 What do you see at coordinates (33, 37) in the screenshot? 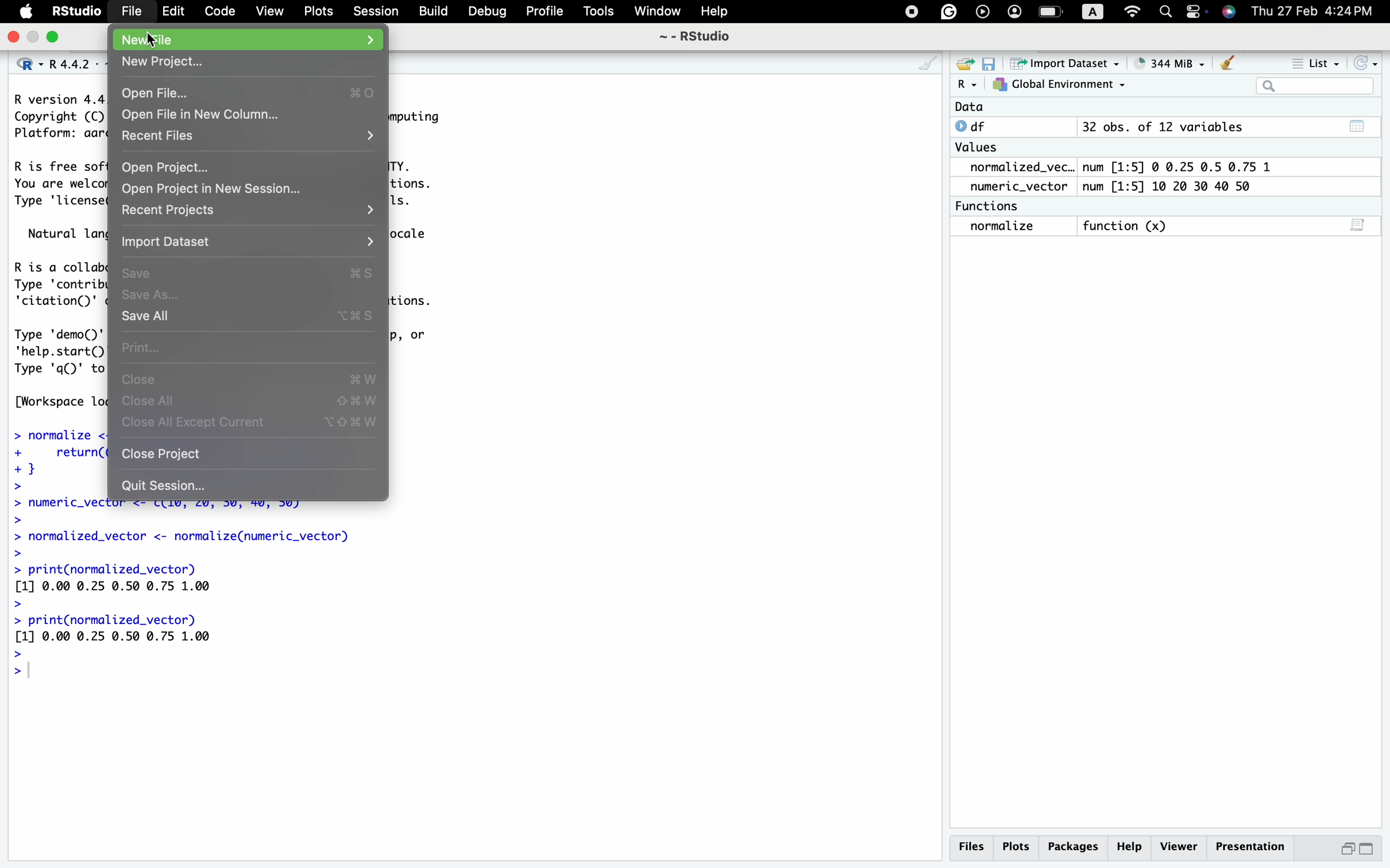
I see `maximize` at bounding box center [33, 37].